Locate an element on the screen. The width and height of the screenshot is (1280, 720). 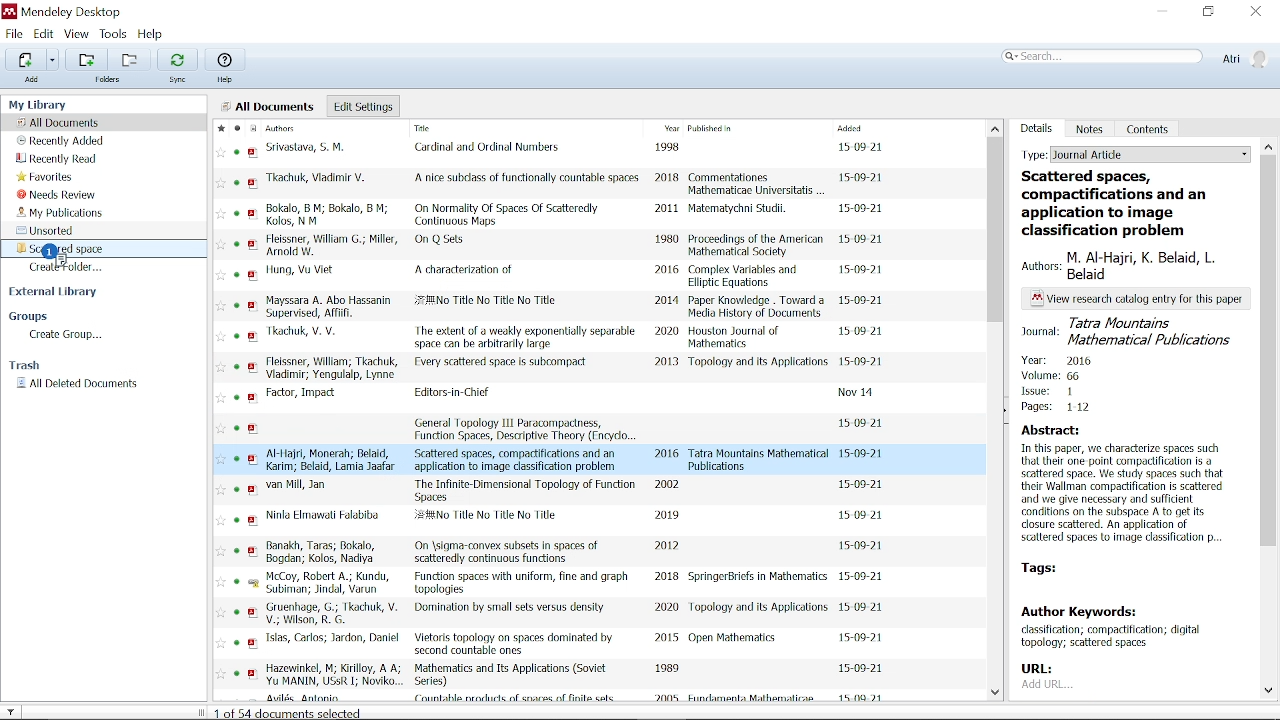
journal is located at coordinates (1128, 331).